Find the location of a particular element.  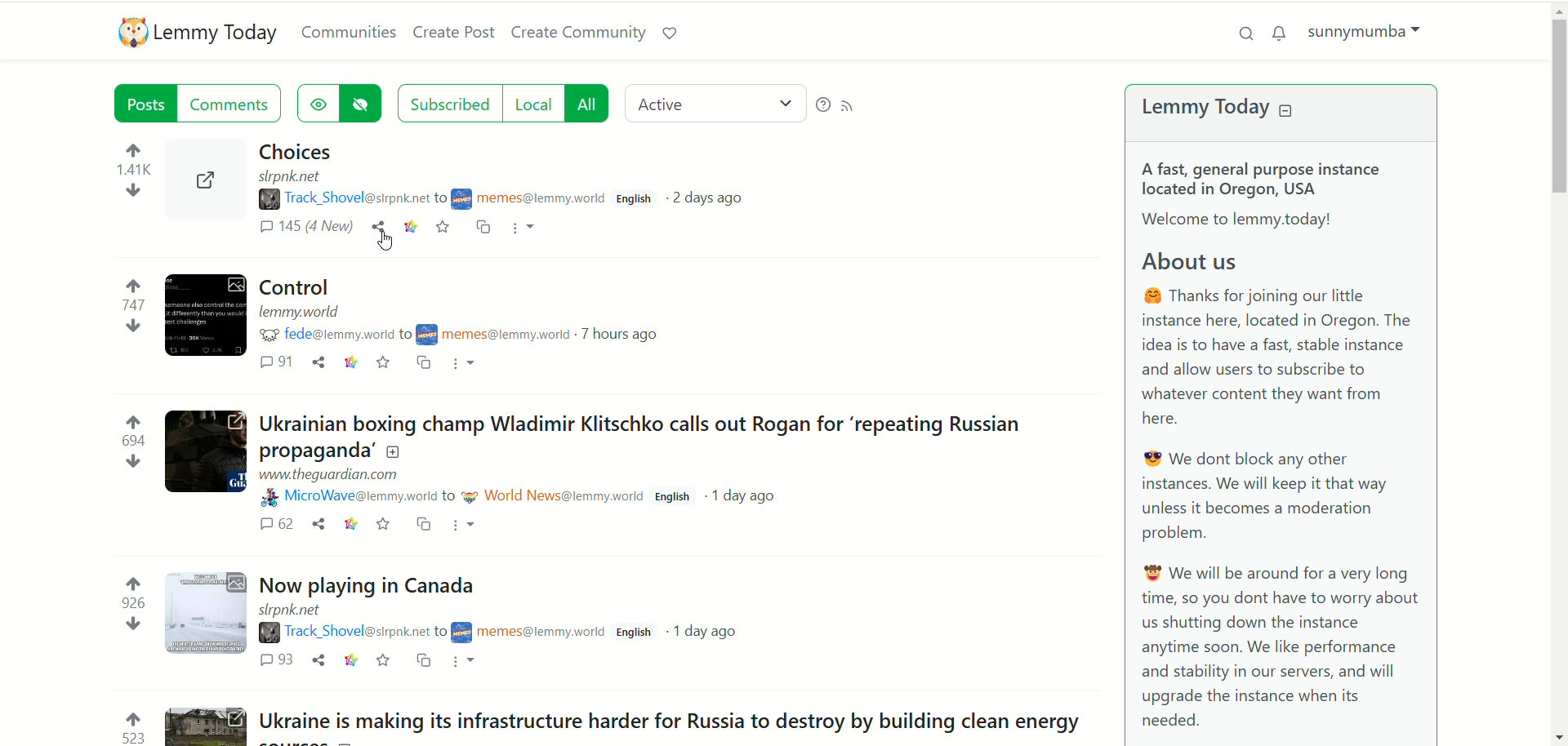

Expand the post with the image is located at coordinates (207, 615).